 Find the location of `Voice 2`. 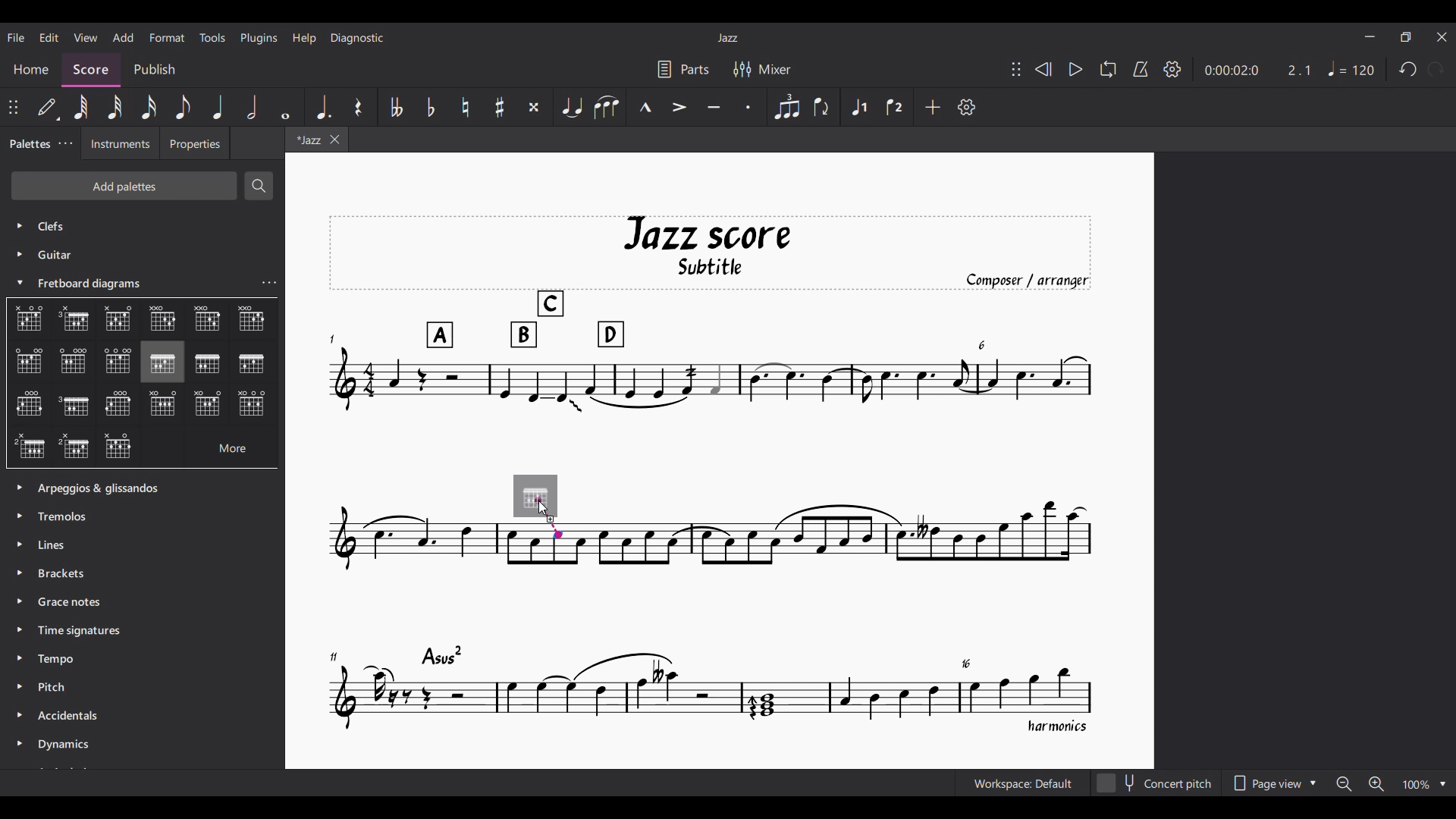

Voice 2 is located at coordinates (896, 107).